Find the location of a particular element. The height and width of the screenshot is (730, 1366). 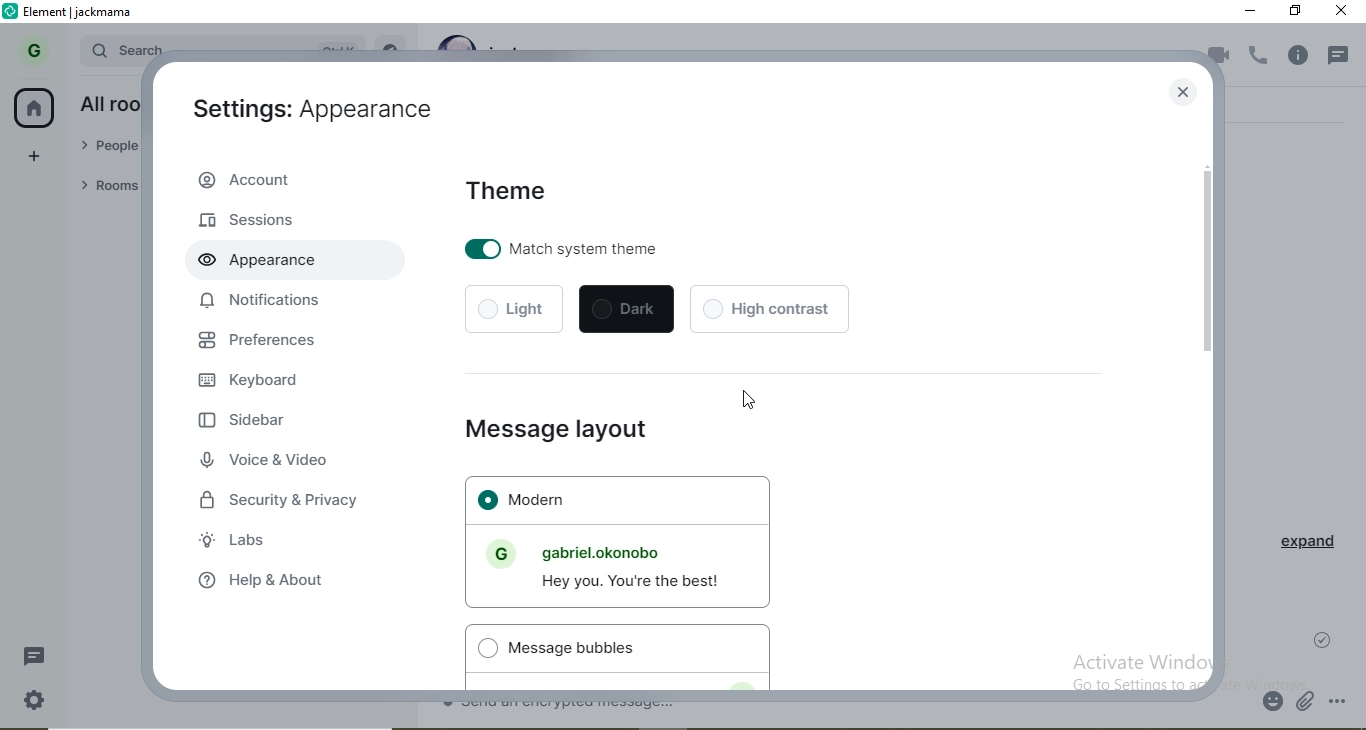

dark is located at coordinates (625, 309).